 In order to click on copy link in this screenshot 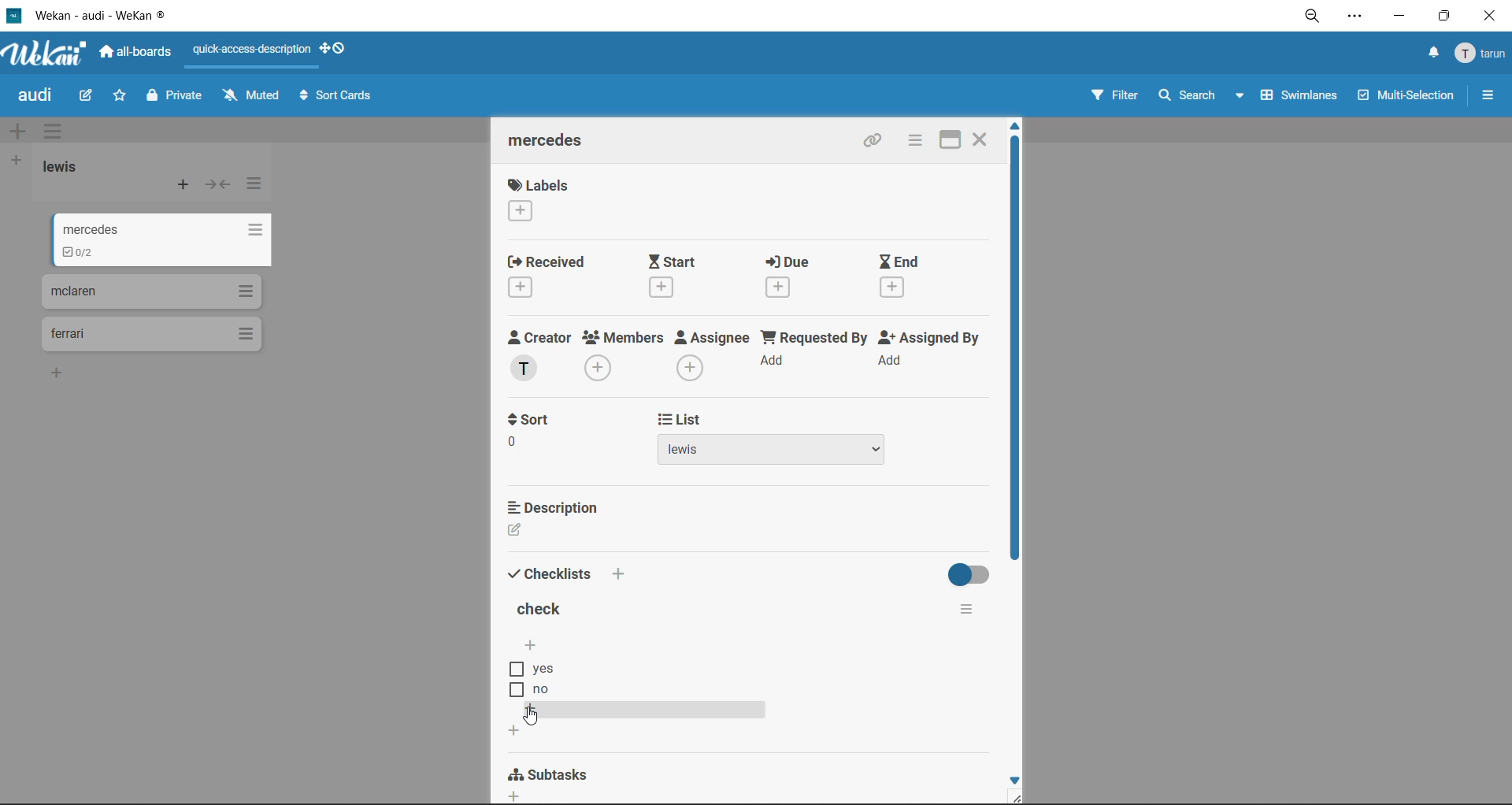, I will do `click(869, 143)`.